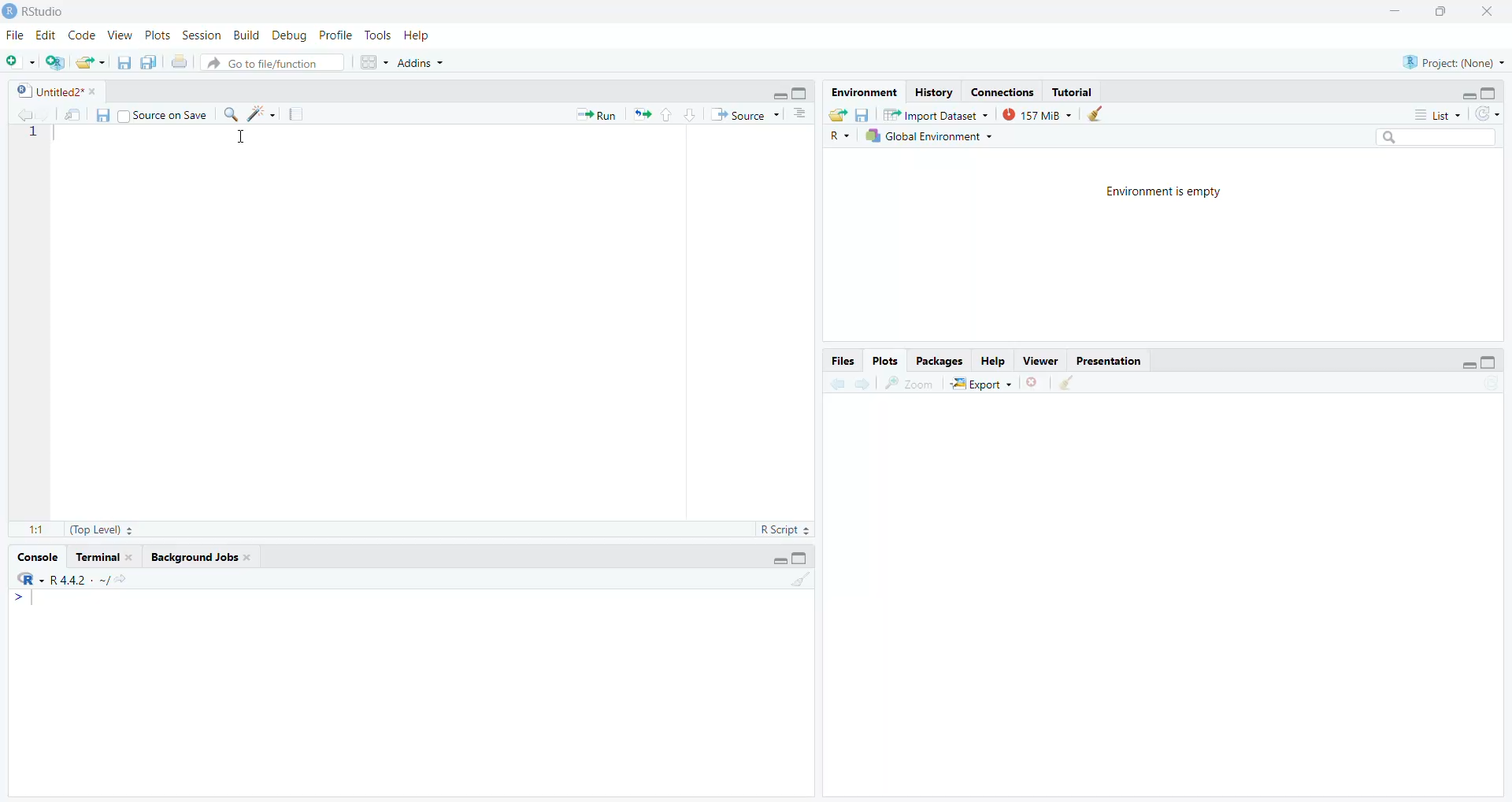 Image resolution: width=1512 pixels, height=802 pixels. I want to click on find/replace, so click(233, 114).